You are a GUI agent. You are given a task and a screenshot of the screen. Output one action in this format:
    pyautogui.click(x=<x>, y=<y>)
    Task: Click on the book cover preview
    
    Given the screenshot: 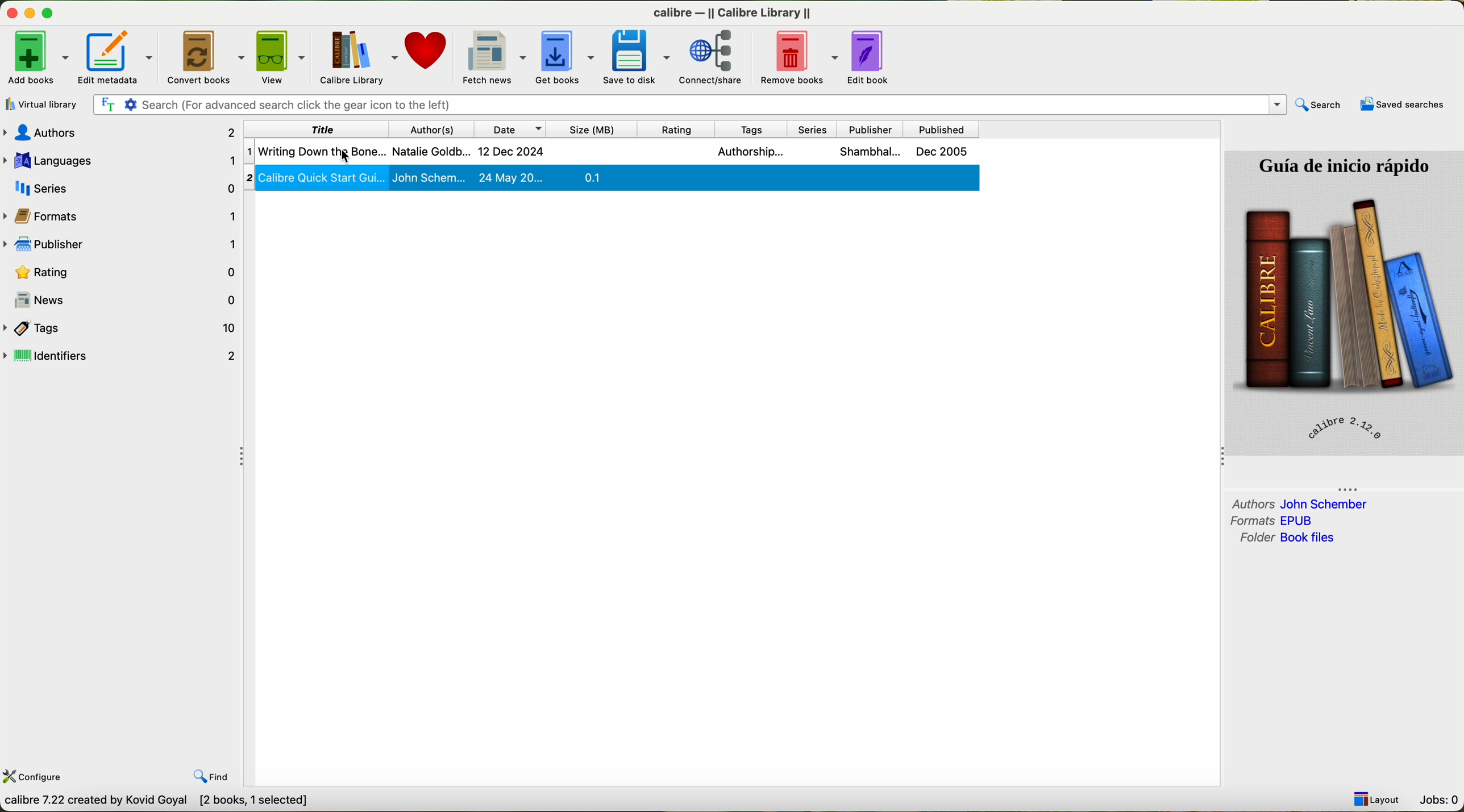 What is the action you would take?
    pyautogui.click(x=1344, y=302)
    